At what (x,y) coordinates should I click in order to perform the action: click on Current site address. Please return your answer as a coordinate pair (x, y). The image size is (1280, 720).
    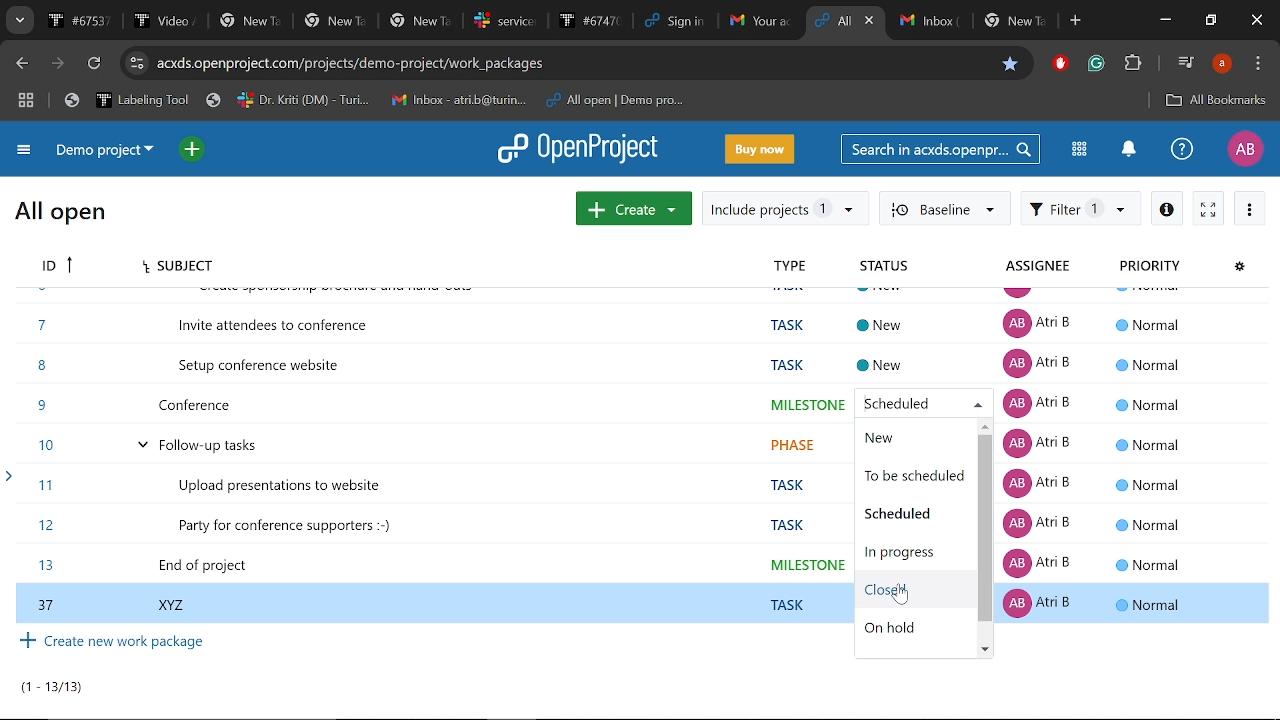
    Looking at the image, I should click on (574, 62).